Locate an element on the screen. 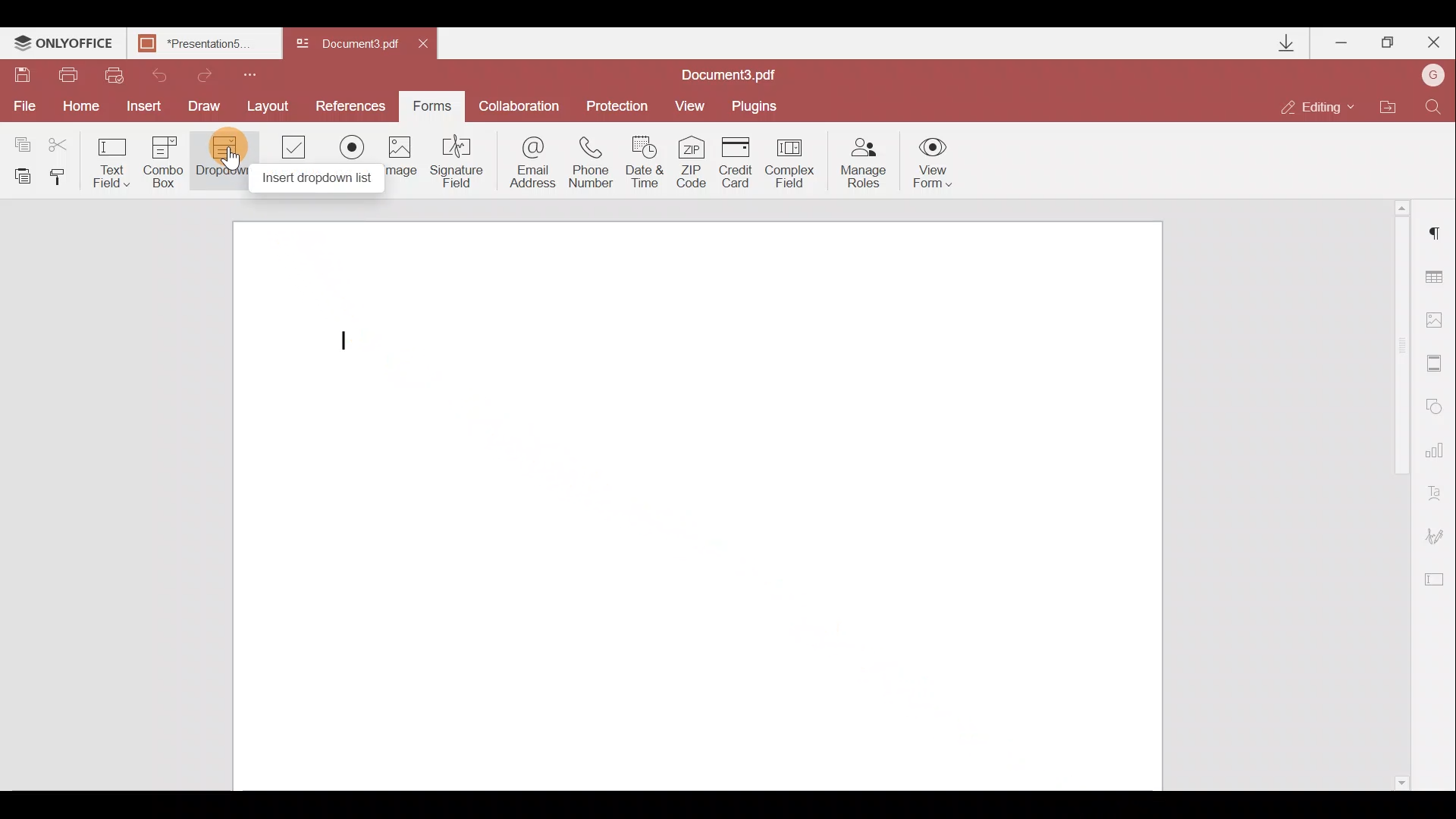 The image size is (1456, 819). Image settings is located at coordinates (1438, 316).